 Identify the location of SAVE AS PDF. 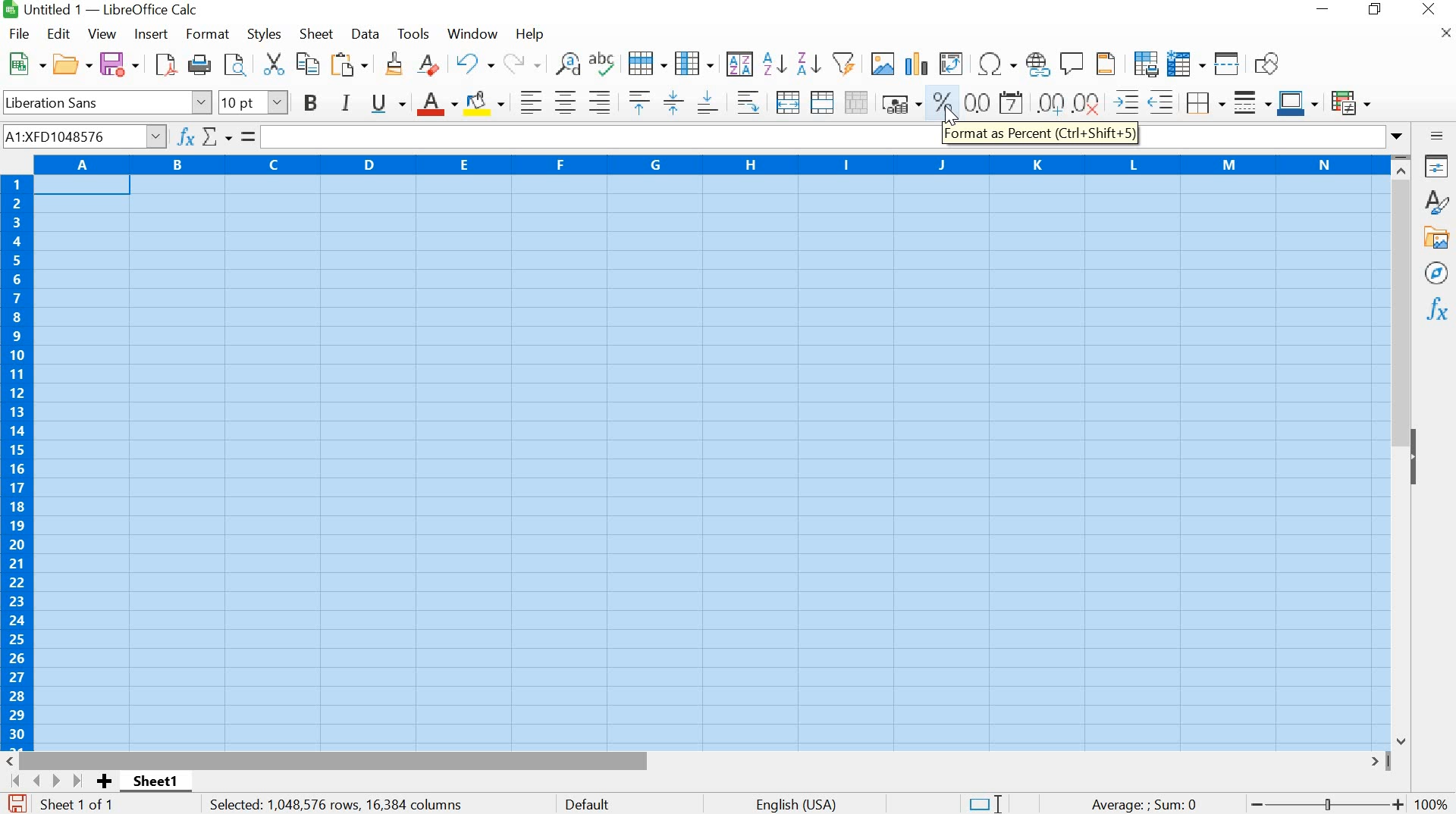
(163, 66).